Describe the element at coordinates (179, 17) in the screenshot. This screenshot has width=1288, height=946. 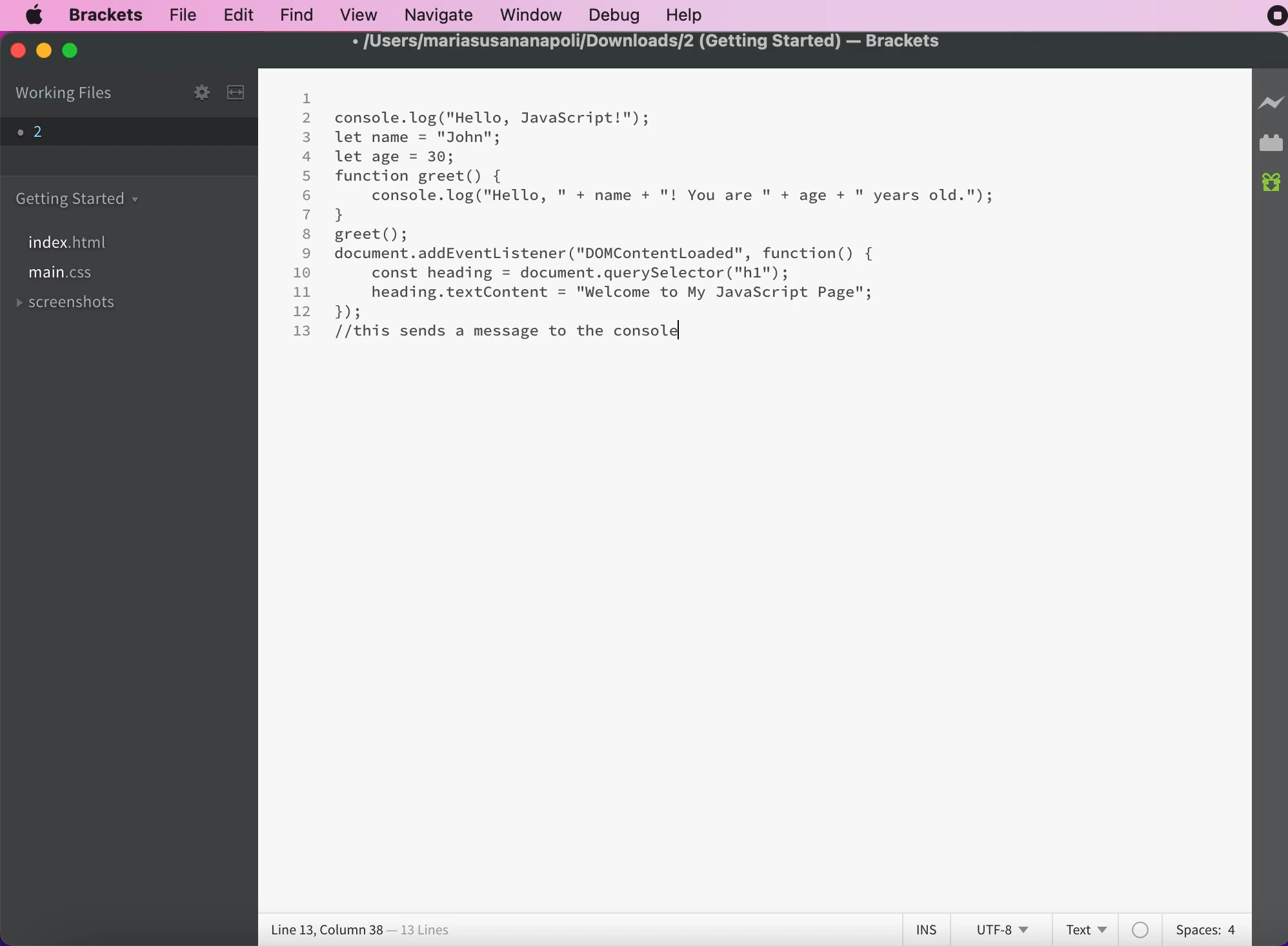
I see `file` at that location.